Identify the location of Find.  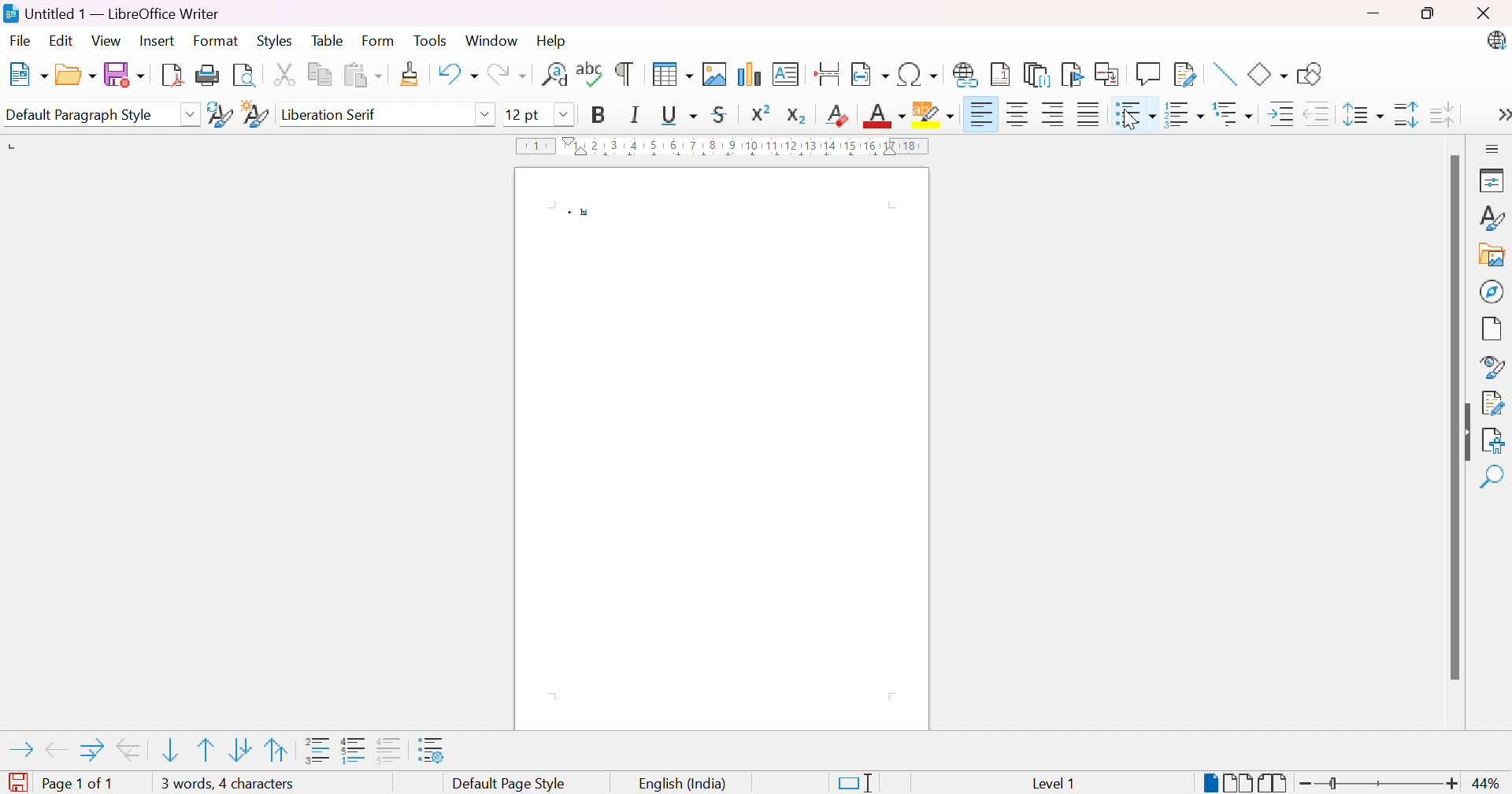
(1492, 477).